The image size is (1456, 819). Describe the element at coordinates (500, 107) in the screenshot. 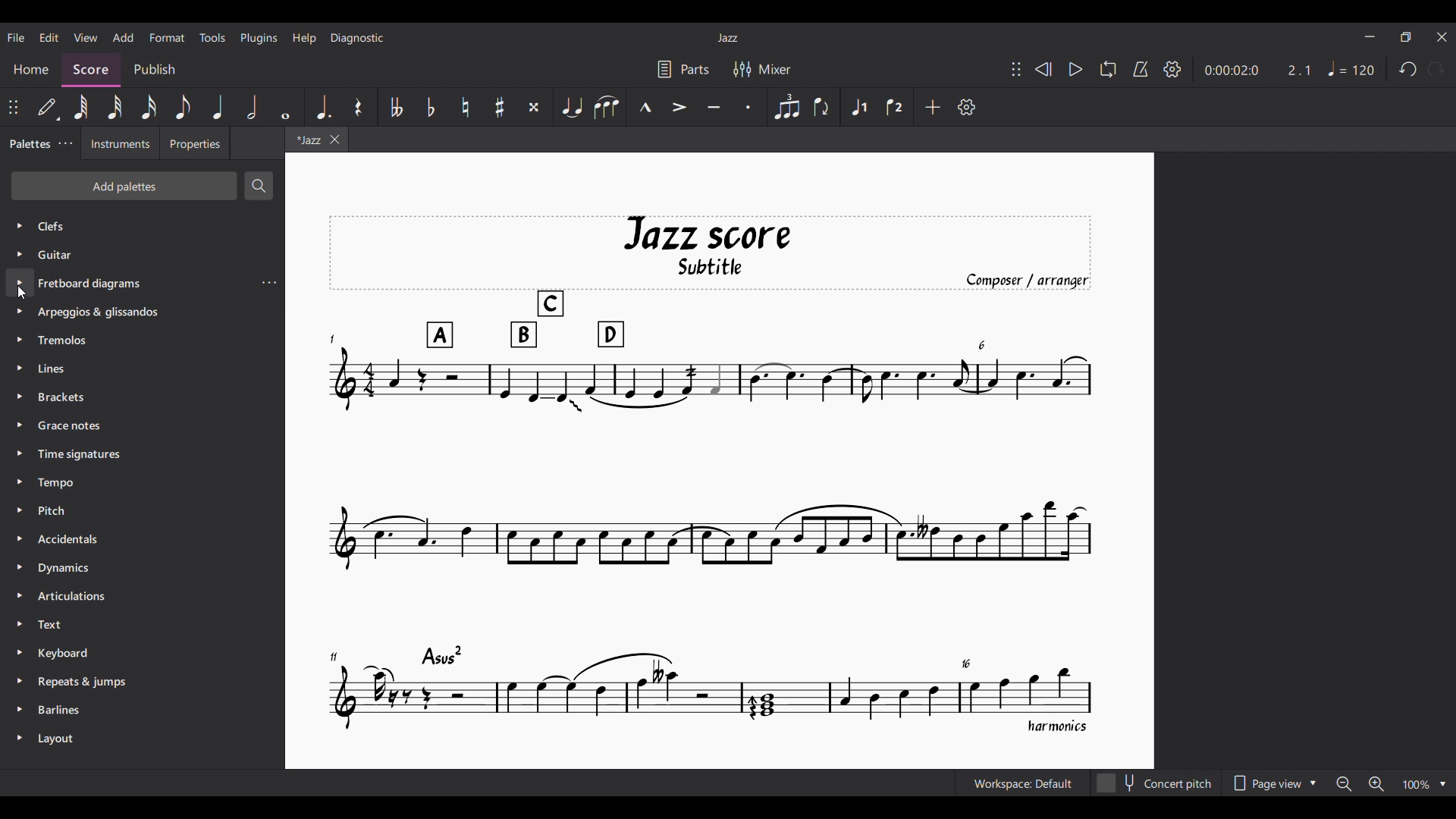

I see `Toggle sharp` at that location.